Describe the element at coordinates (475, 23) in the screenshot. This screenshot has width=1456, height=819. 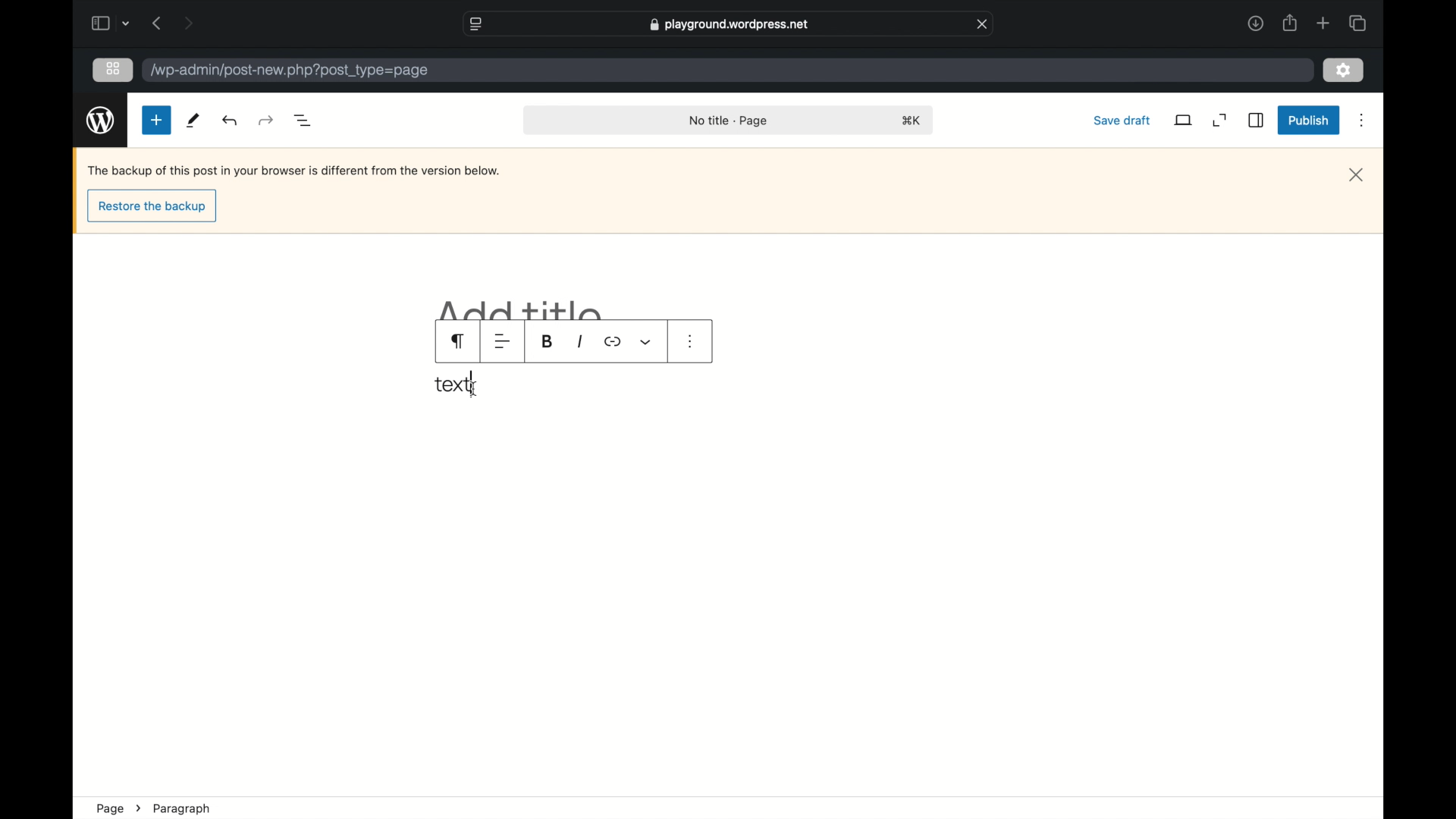
I see `website settings` at that location.